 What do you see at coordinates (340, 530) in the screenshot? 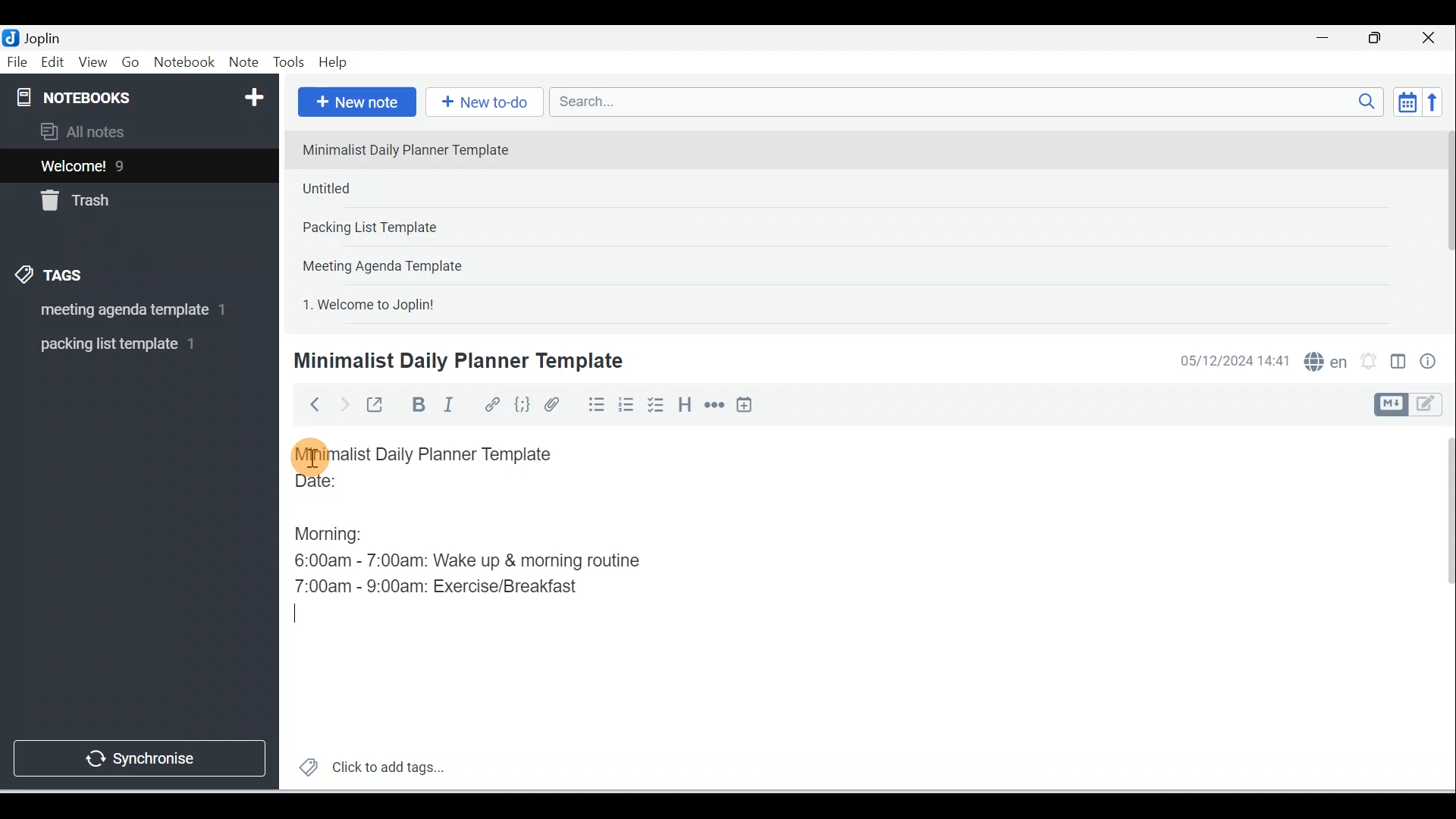
I see `Morning:` at bounding box center [340, 530].